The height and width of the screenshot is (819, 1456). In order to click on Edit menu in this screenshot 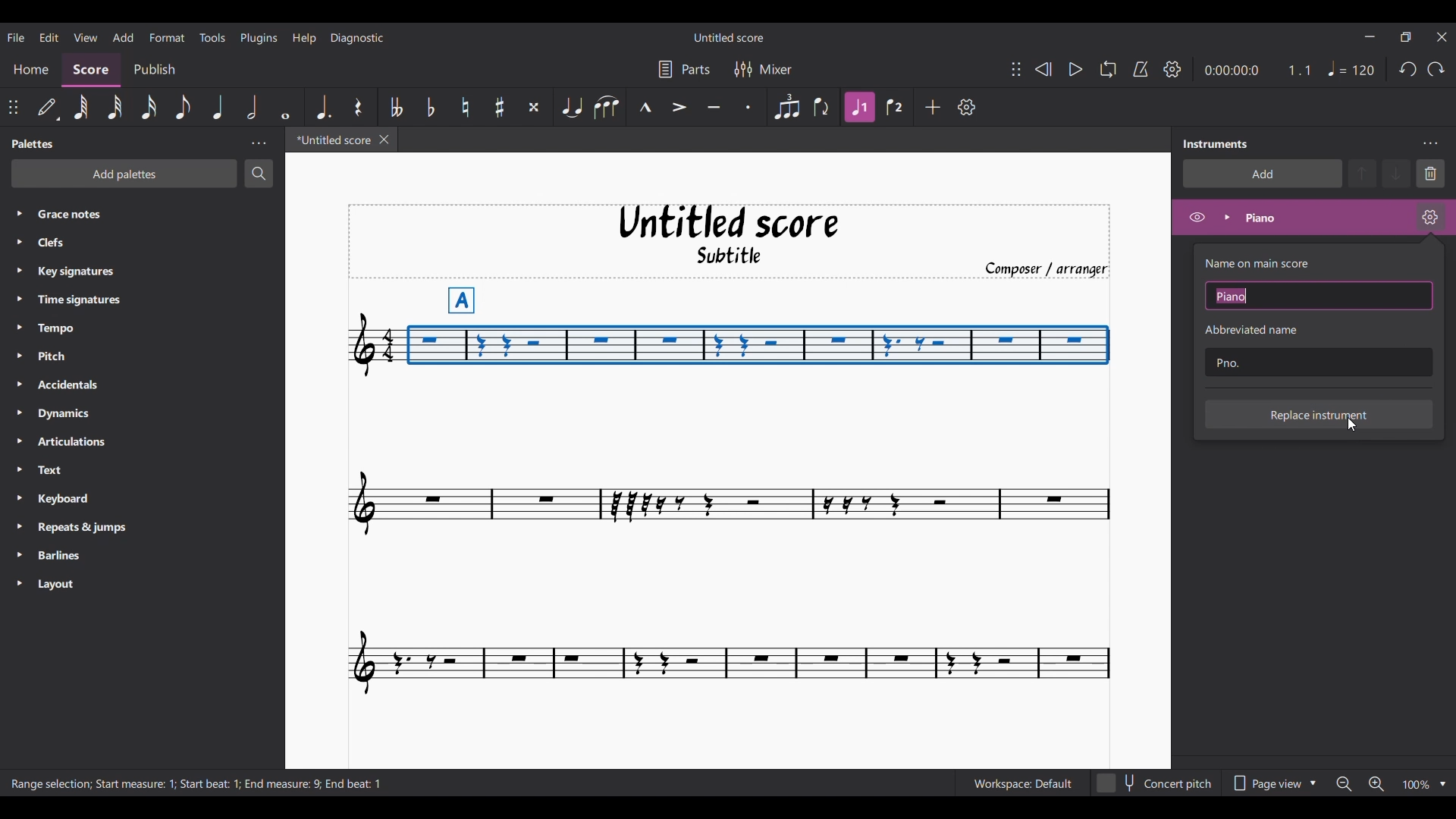, I will do `click(48, 36)`.